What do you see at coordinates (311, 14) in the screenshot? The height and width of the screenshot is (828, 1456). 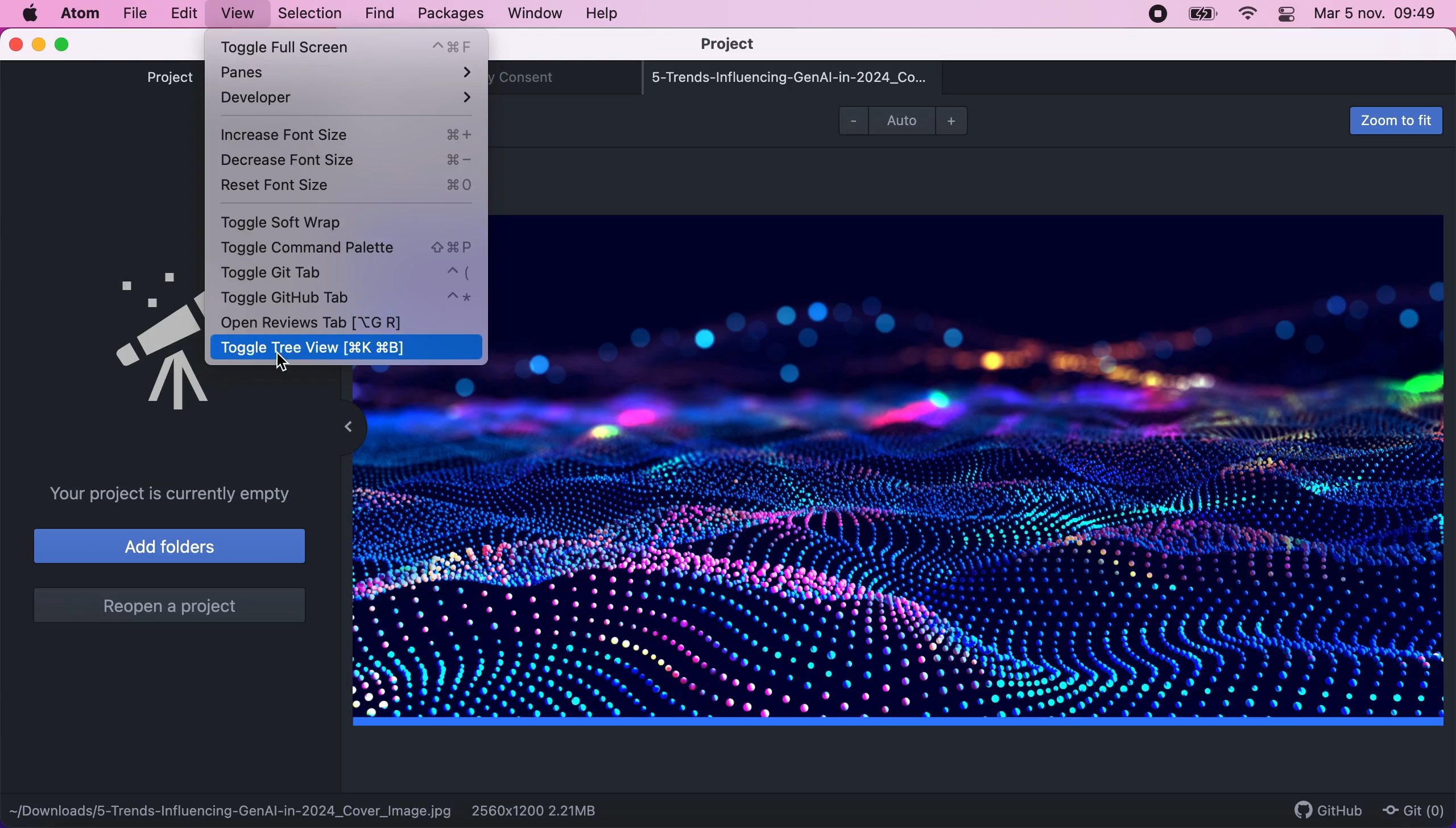 I see `selection` at bounding box center [311, 14].